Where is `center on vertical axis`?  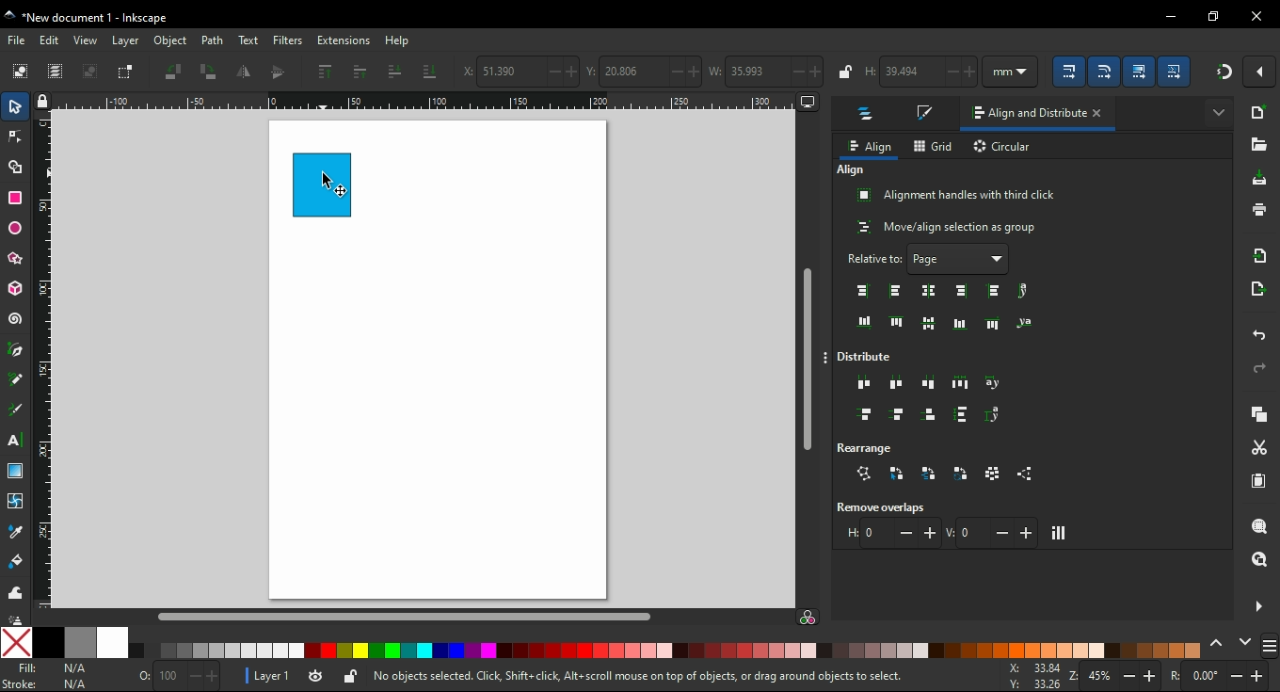 center on vertical axis is located at coordinates (931, 290).